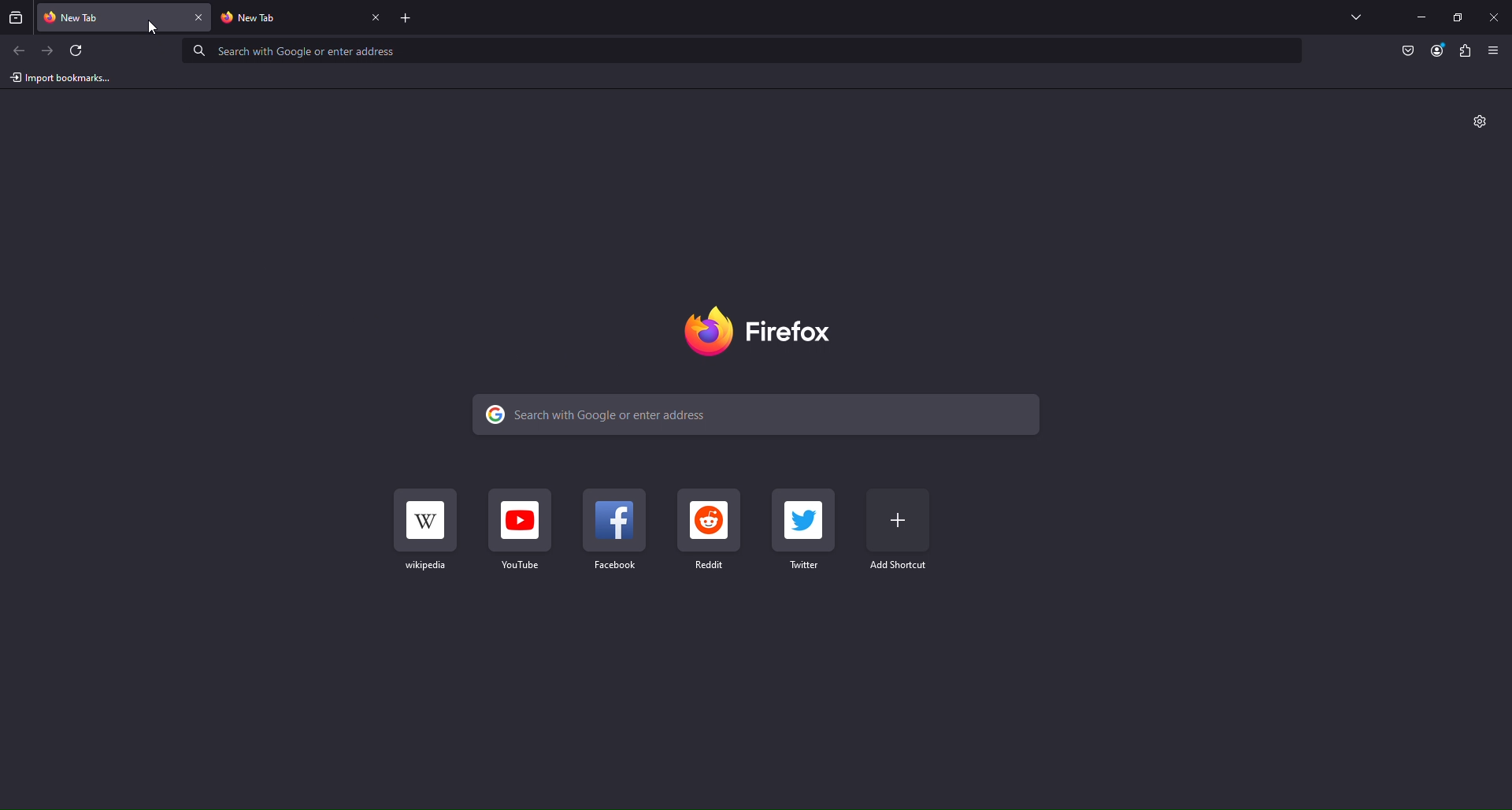  What do you see at coordinates (427, 528) in the screenshot?
I see `Wikipedia Shortcut` at bounding box center [427, 528].